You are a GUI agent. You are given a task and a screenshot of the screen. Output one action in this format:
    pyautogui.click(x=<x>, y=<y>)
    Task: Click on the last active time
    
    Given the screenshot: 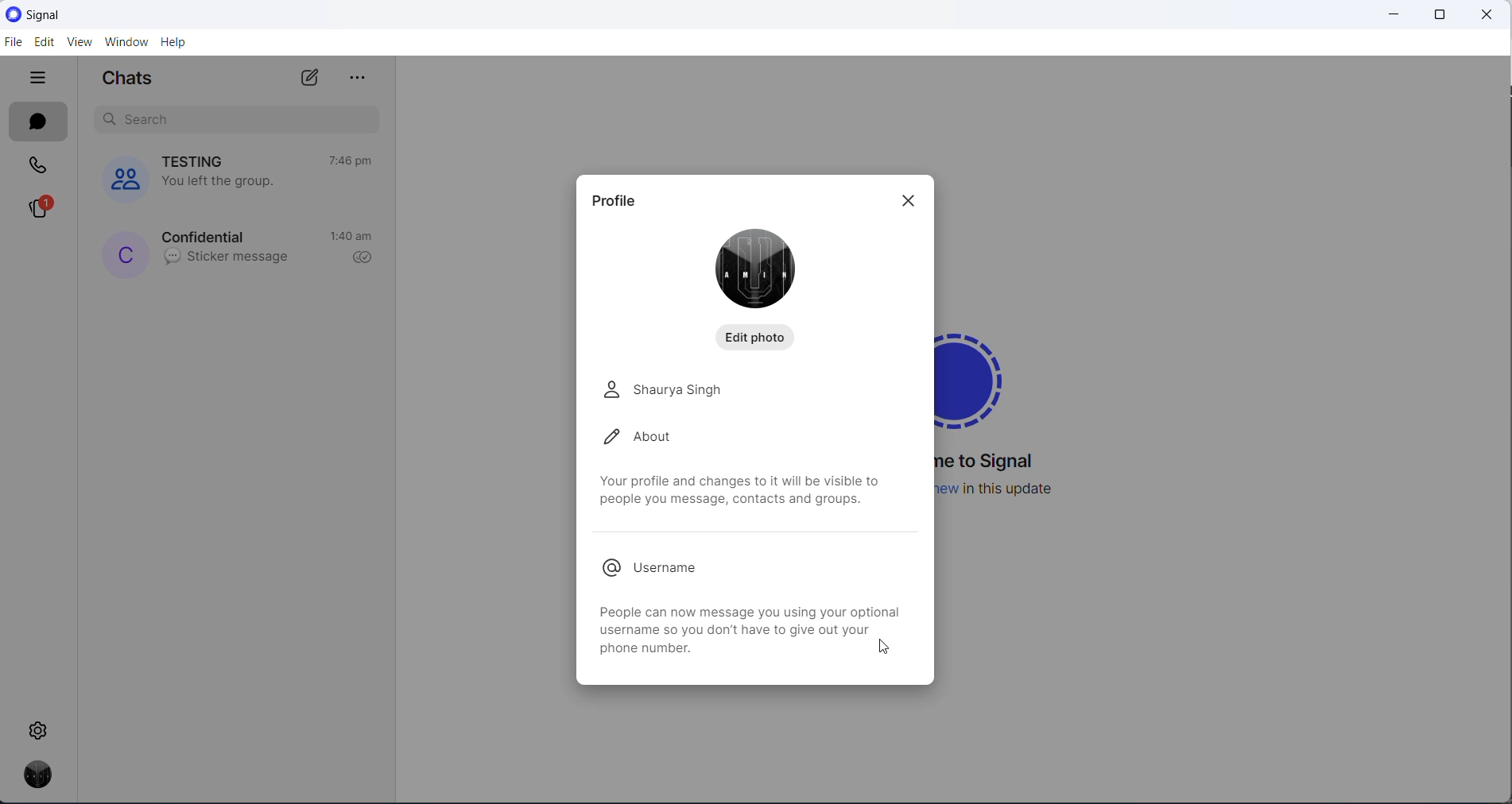 What is the action you would take?
    pyautogui.click(x=353, y=238)
    